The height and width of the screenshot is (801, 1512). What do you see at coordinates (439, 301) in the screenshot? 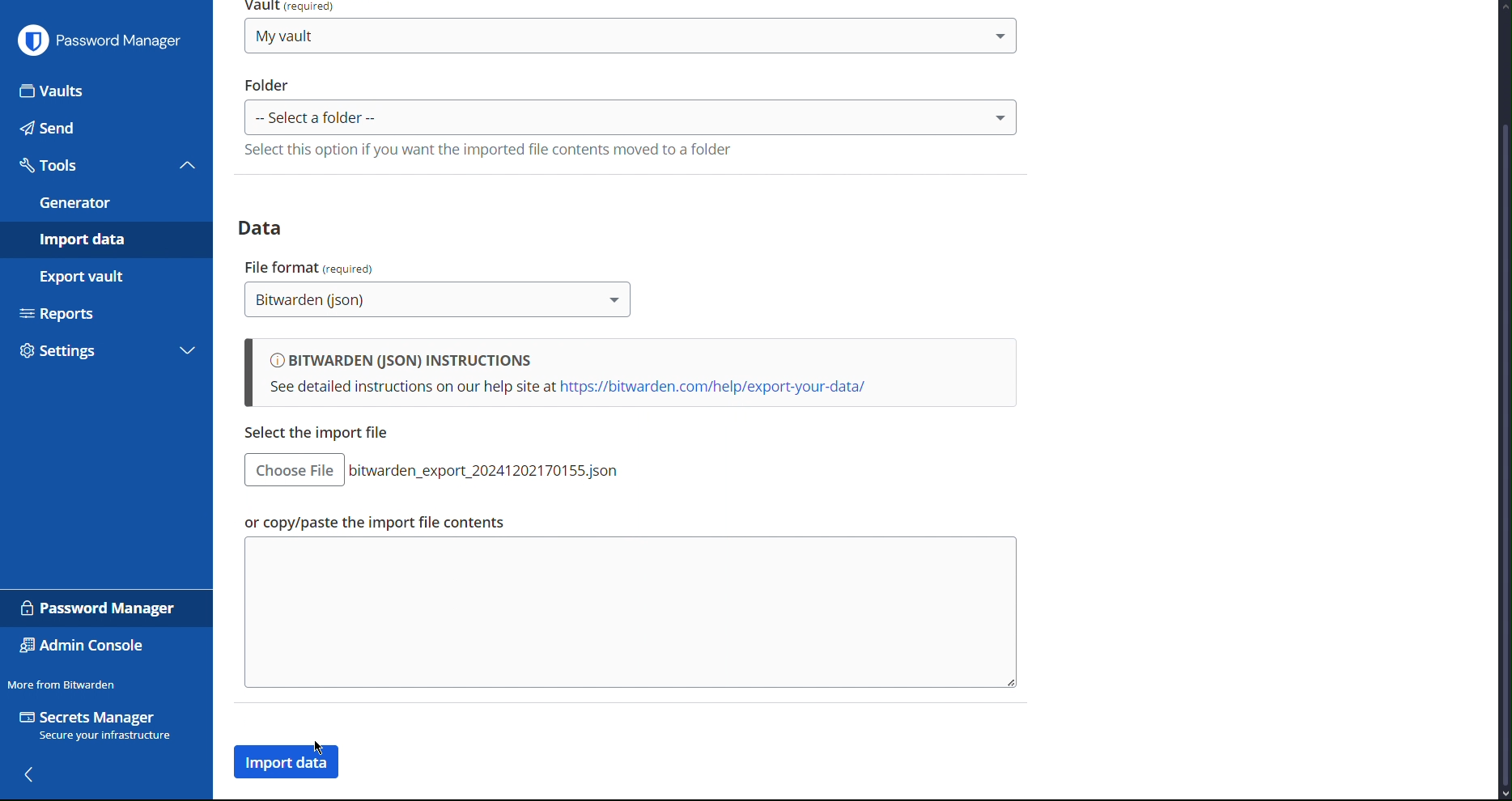
I see `Bitwarden (json)` at bounding box center [439, 301].